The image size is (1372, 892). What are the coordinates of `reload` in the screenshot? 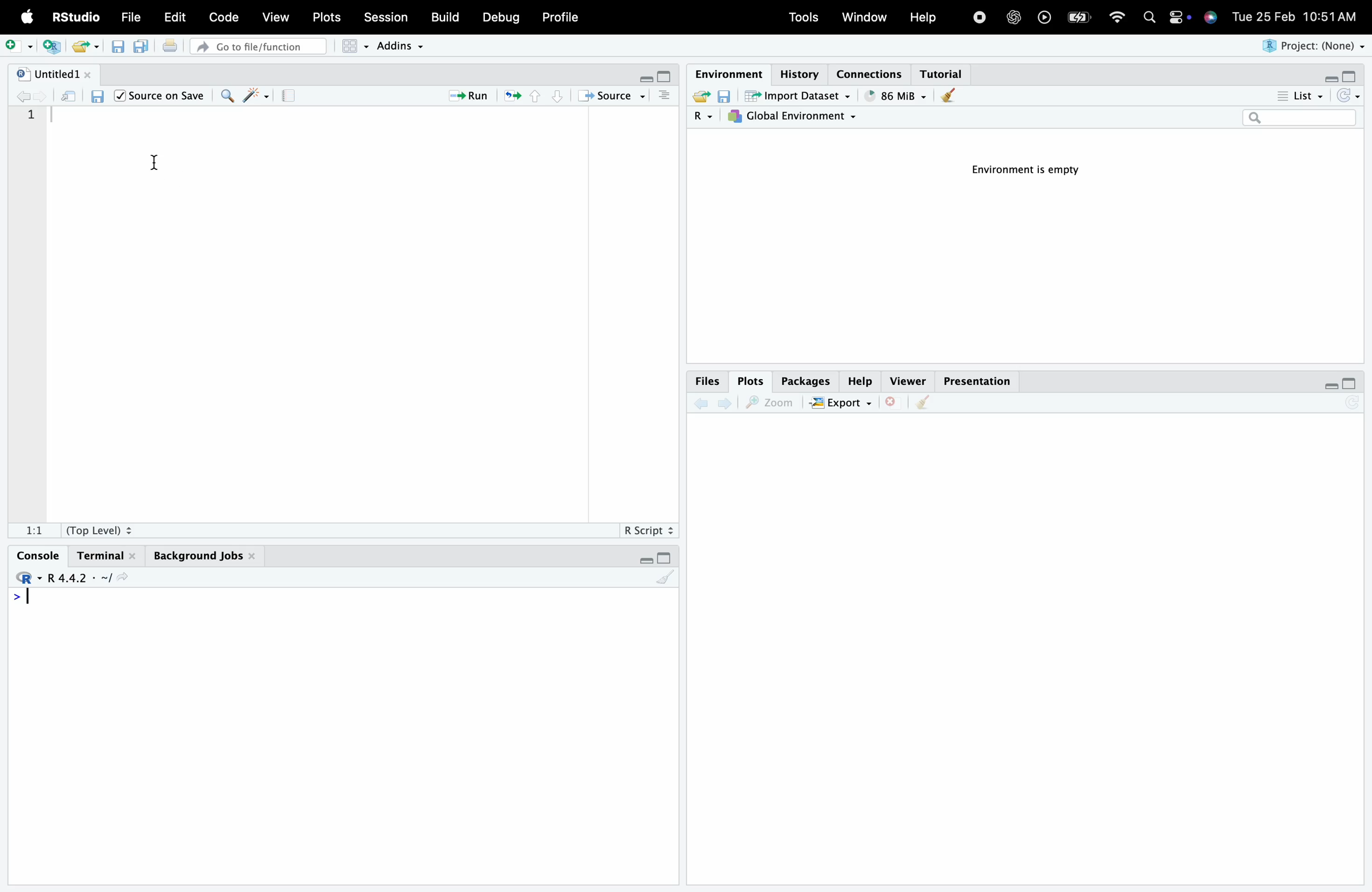 It's located at (1351, 96).